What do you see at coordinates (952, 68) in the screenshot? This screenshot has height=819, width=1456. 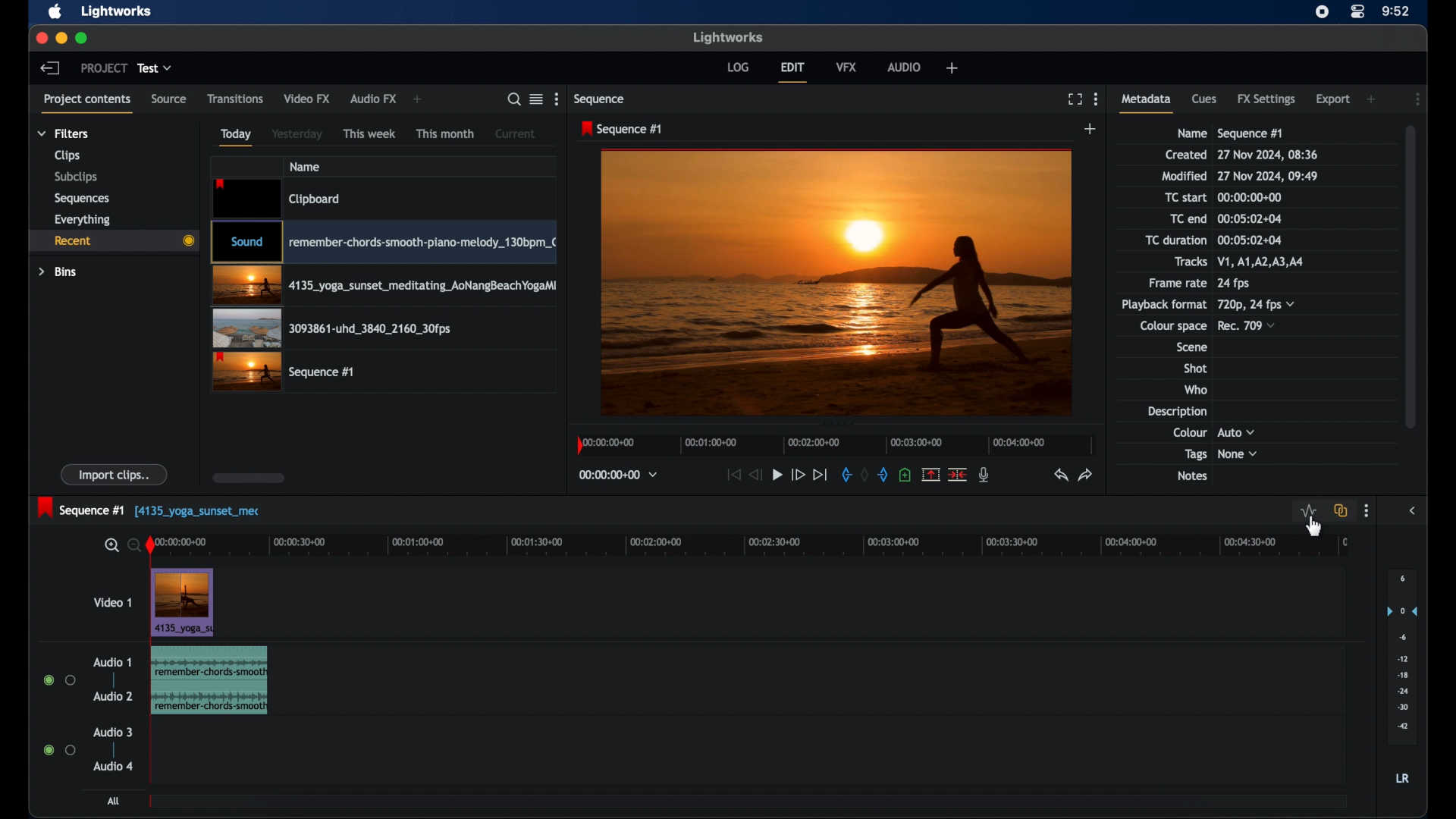 I see `add` at bounding box center [952, 68].